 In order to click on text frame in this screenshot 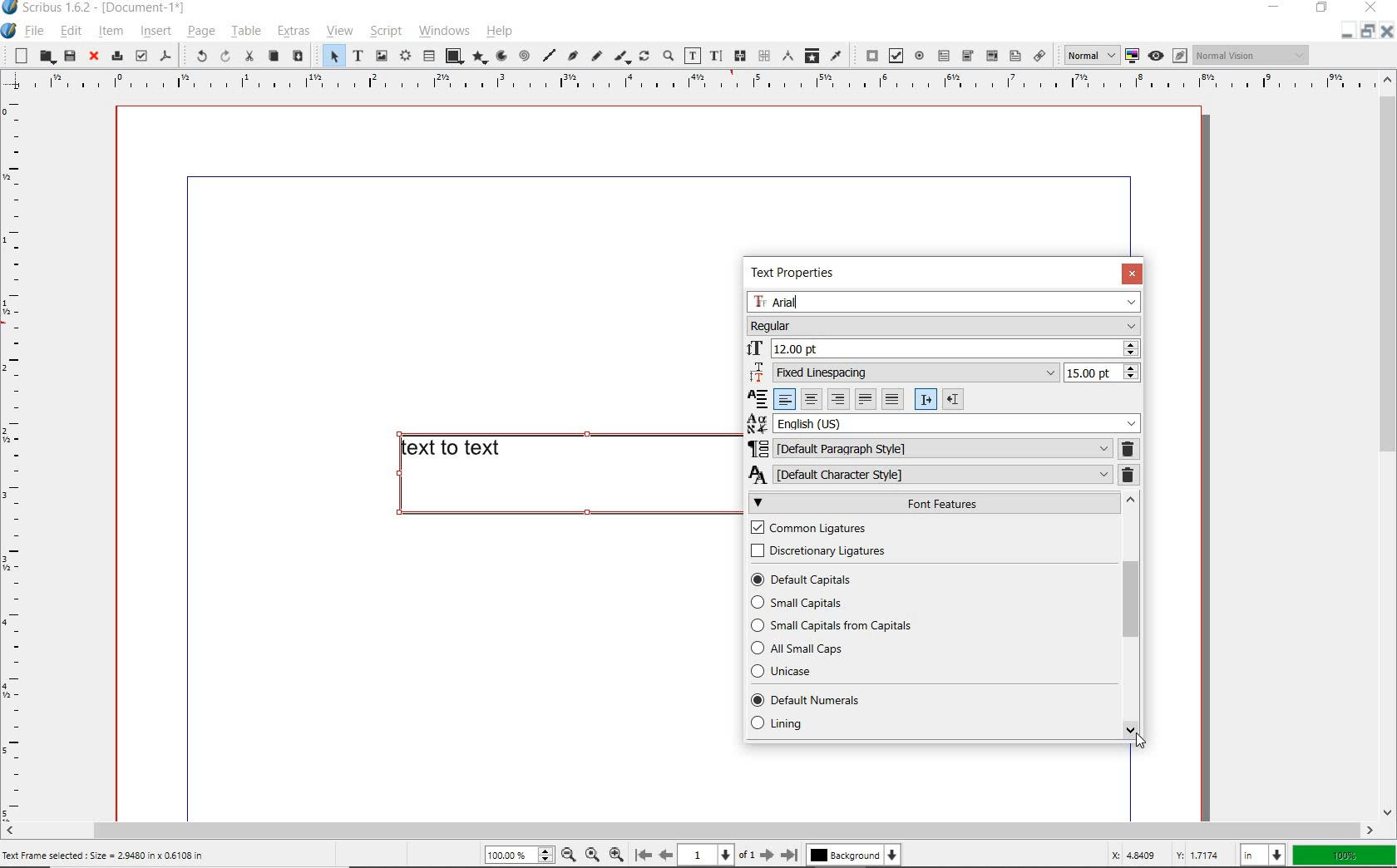, I will do `click(357, 57)`.